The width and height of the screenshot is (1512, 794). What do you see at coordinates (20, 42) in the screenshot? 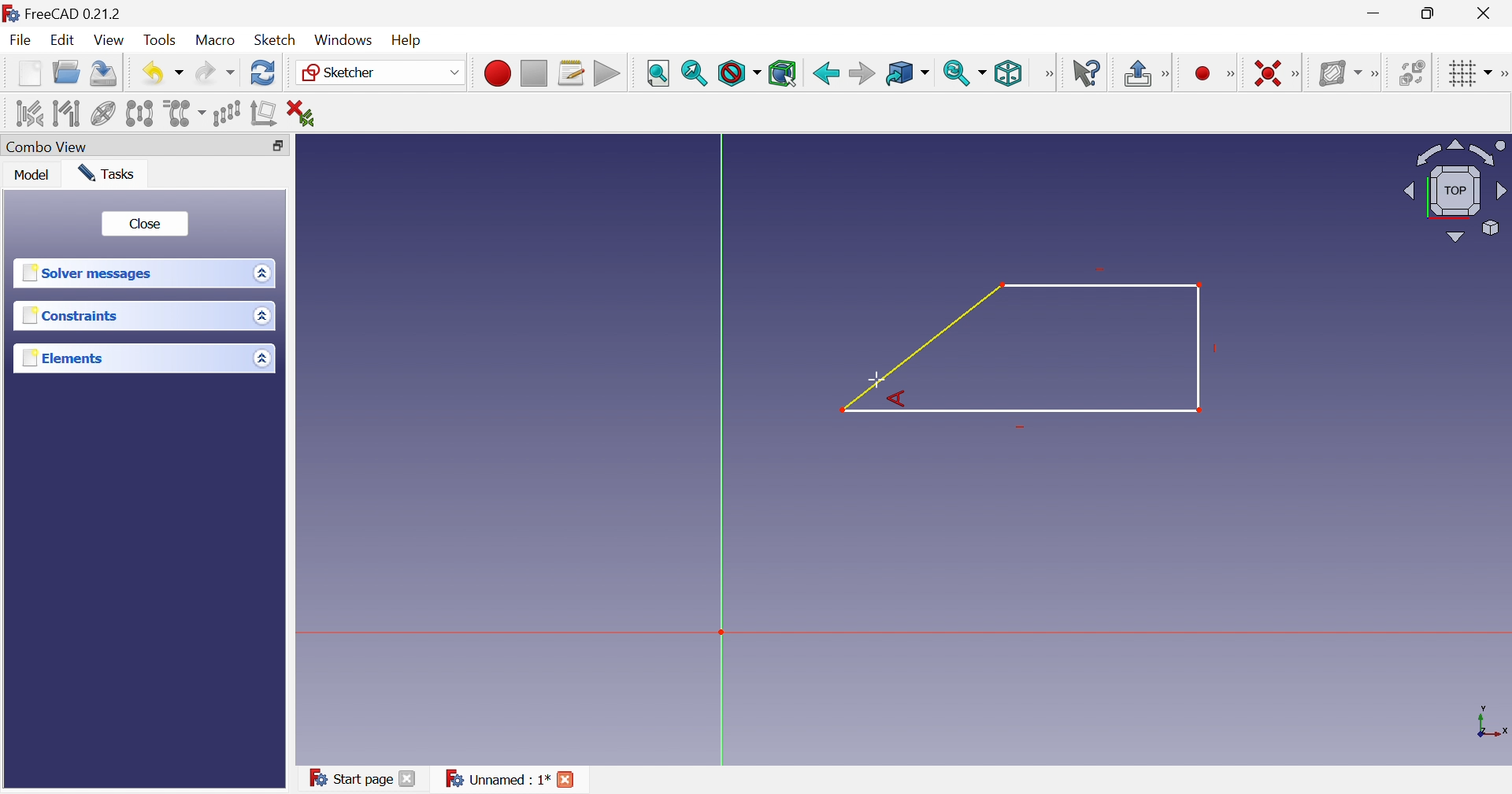
I see `File` at bounding box center [20, 42].